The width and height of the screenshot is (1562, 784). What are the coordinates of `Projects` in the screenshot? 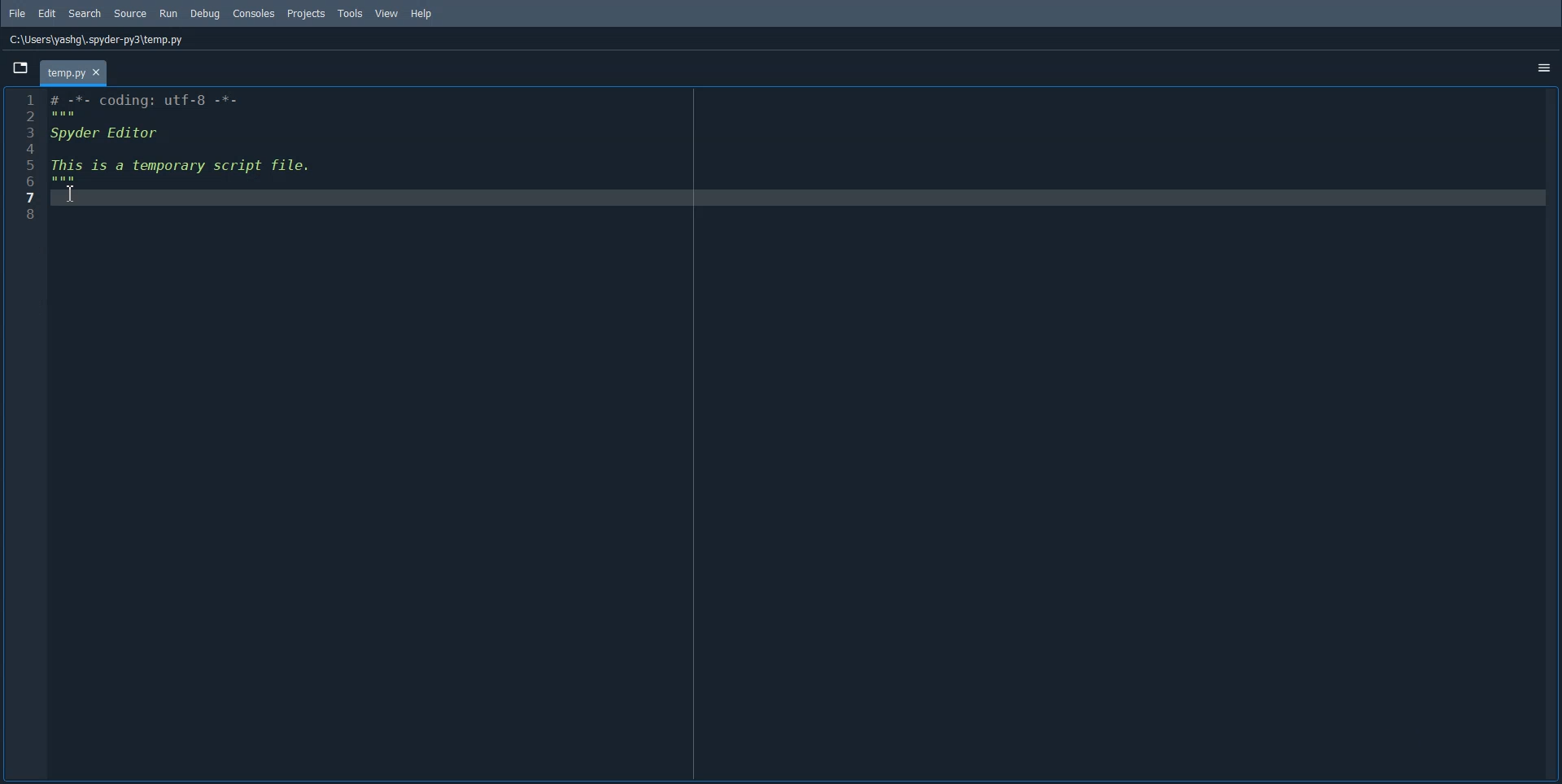 It's located at (306, 14).